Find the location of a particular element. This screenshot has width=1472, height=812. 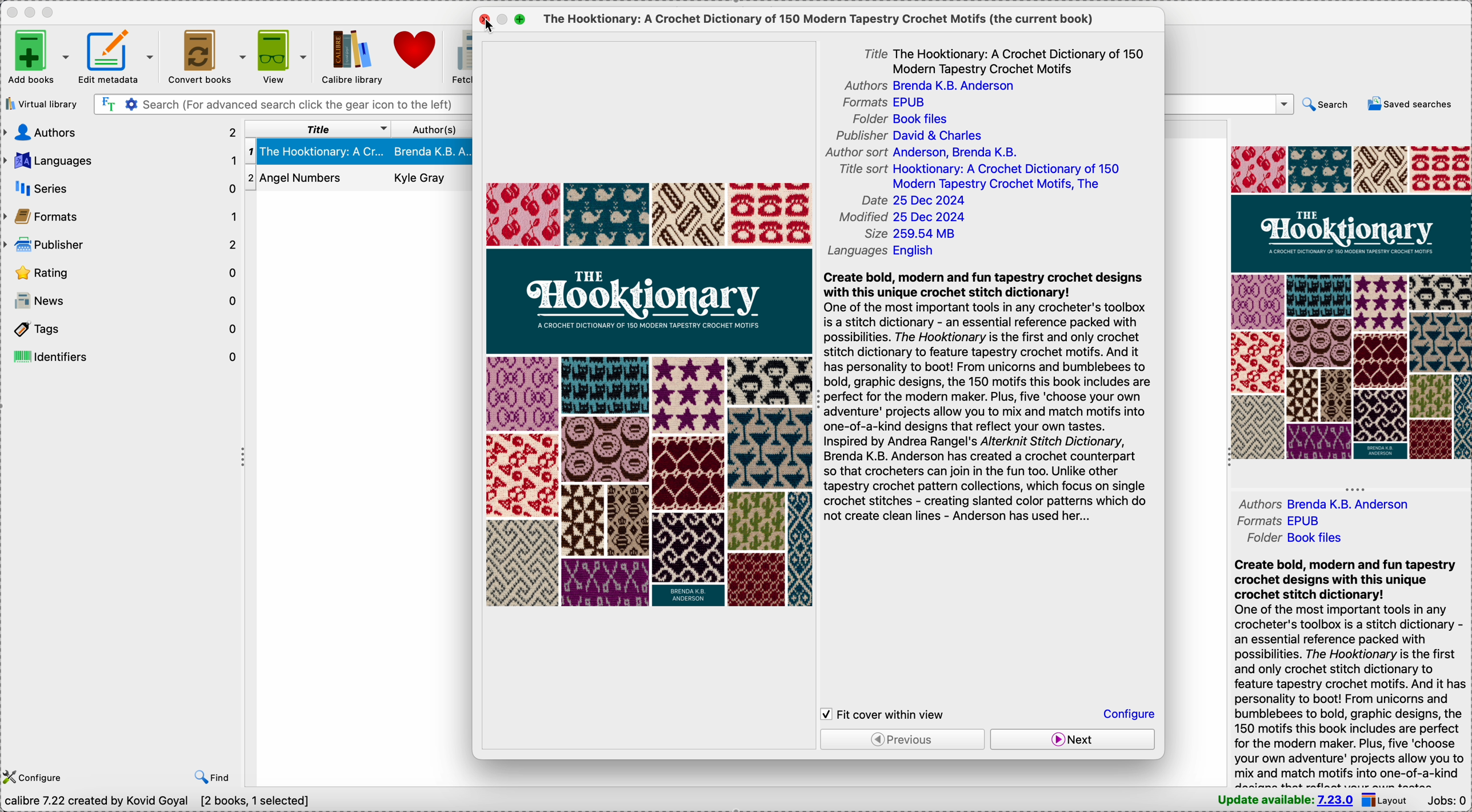

publisher is located at coordinates (122, 245).